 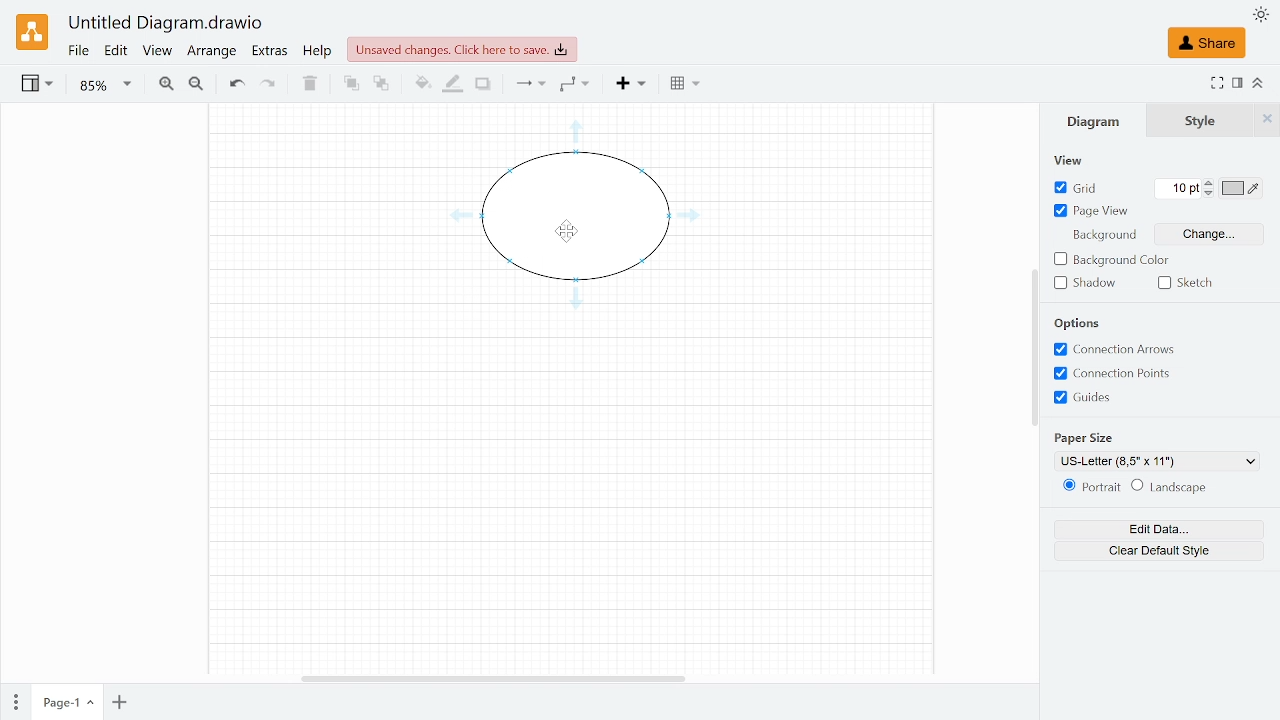 What do you see at coordinates (78, 51) in the screenshot?
I see `File` at bounding box center [78, 51].